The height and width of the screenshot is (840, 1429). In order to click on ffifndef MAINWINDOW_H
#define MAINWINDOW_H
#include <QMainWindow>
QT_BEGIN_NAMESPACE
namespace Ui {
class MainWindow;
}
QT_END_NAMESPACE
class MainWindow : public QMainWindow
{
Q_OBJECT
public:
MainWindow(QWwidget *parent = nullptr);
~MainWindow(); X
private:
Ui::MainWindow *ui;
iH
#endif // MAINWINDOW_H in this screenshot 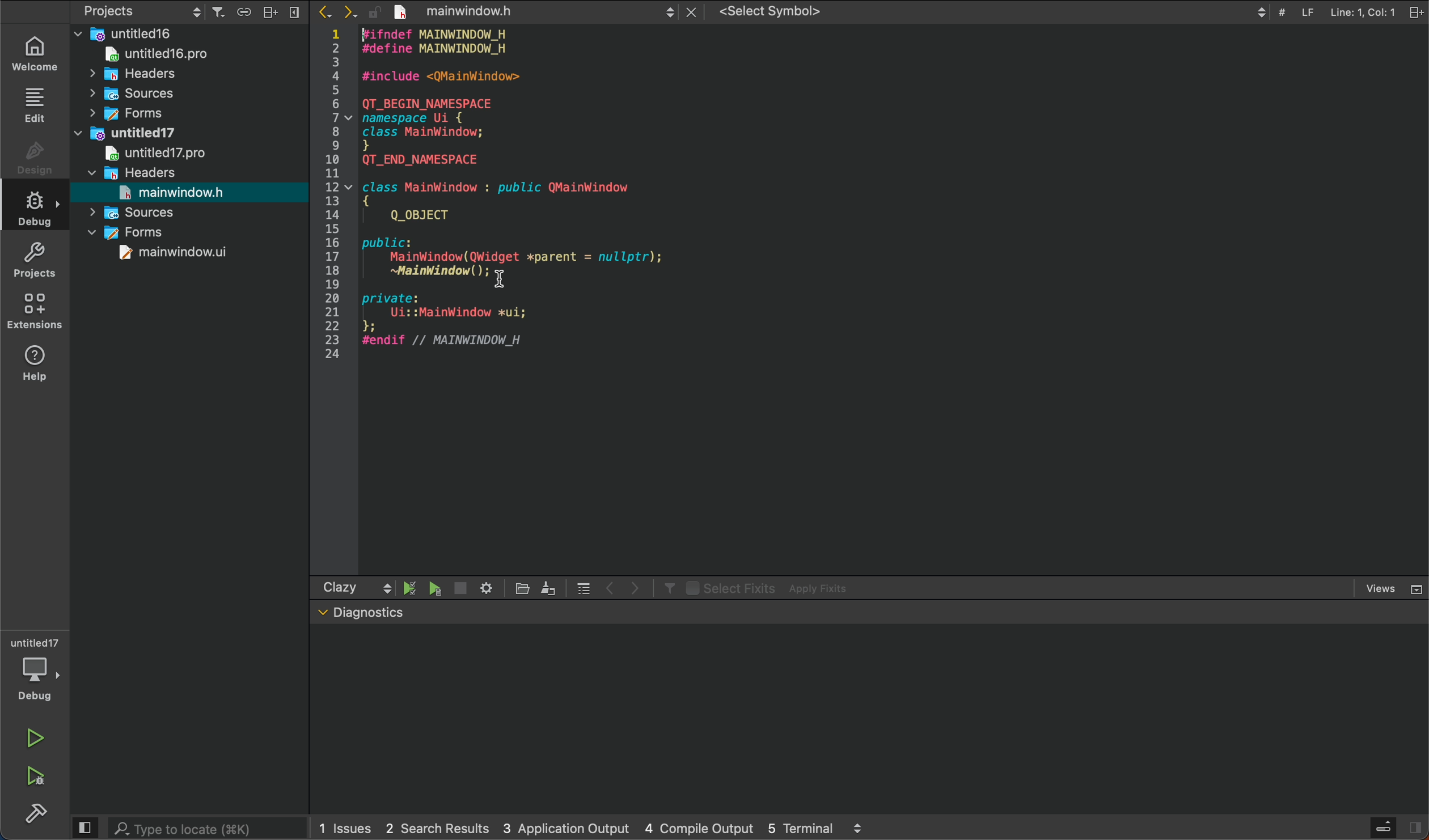, I will do `click(533, 204)`.